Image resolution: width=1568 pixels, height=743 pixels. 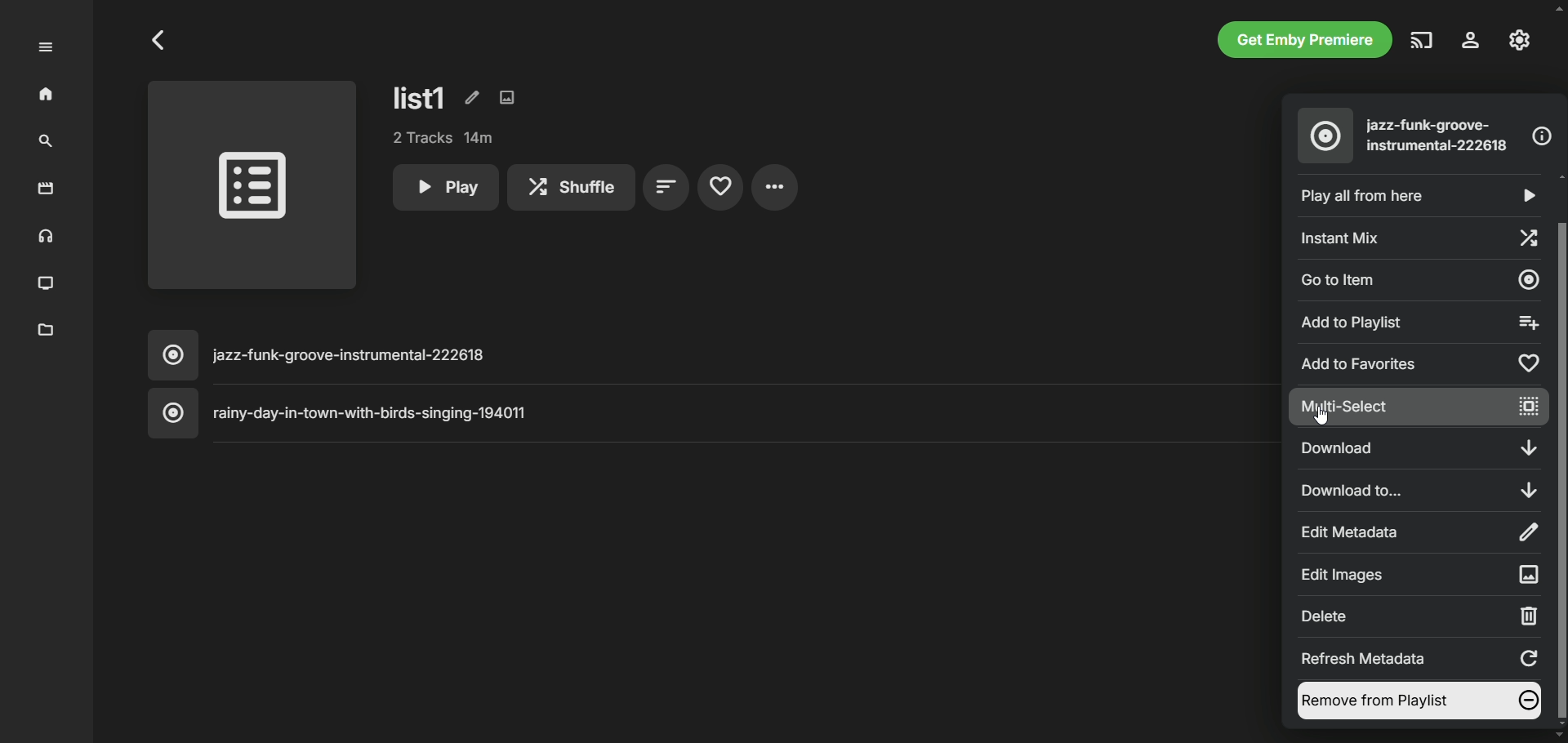 I want to click on Edit images, so click(x=1417, y=574).